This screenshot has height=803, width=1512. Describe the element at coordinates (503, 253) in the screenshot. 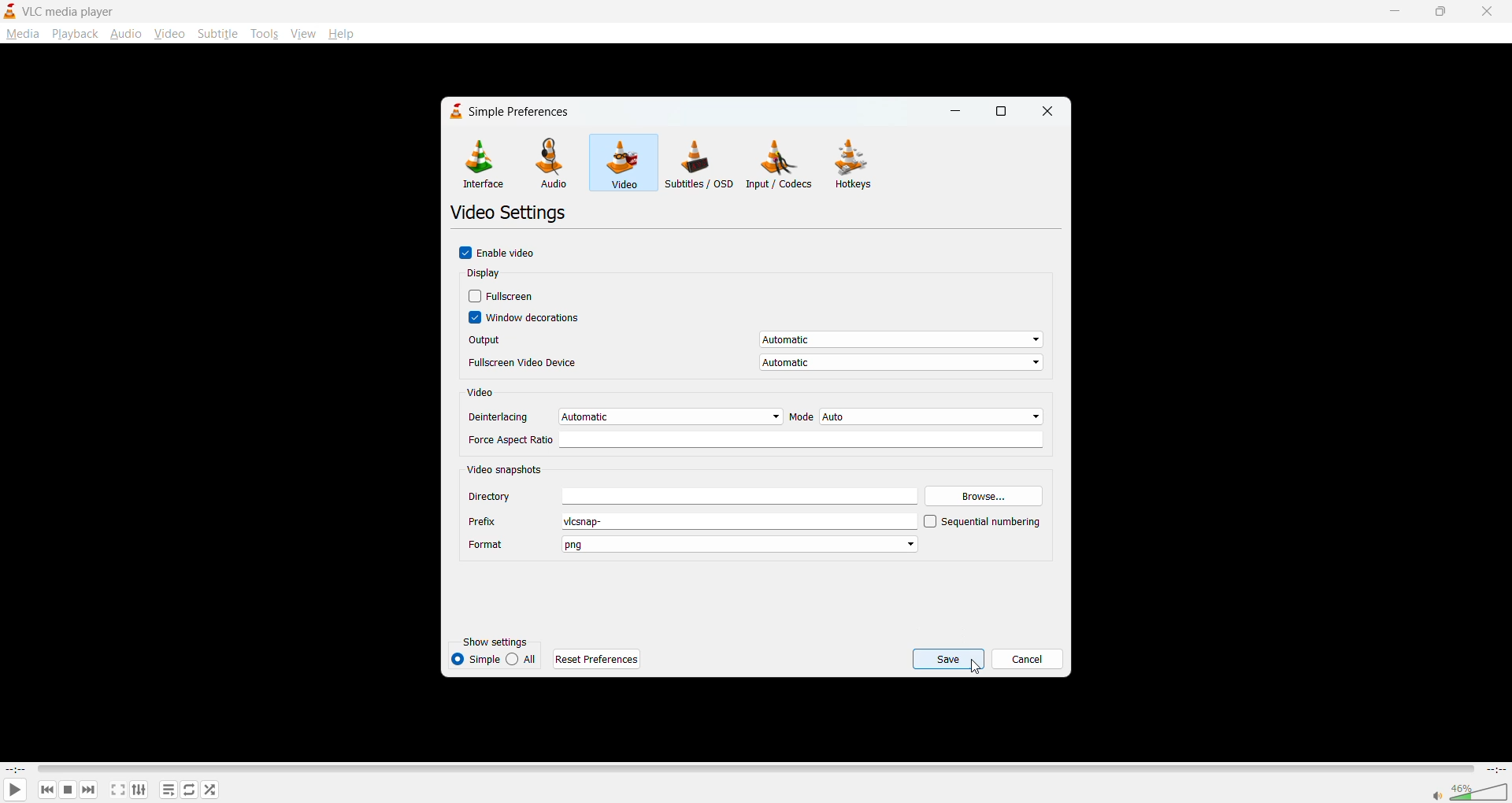

I see `enable video` at that location.